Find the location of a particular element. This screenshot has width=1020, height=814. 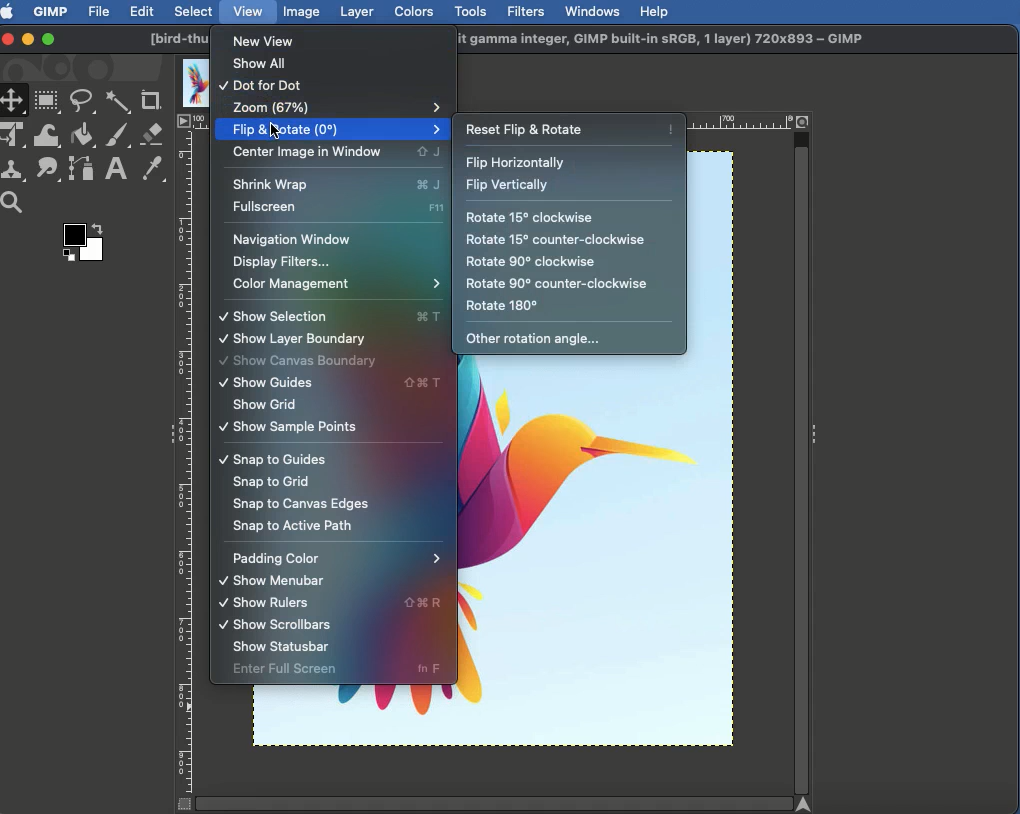

F11 is located at coordinates (436, 207).